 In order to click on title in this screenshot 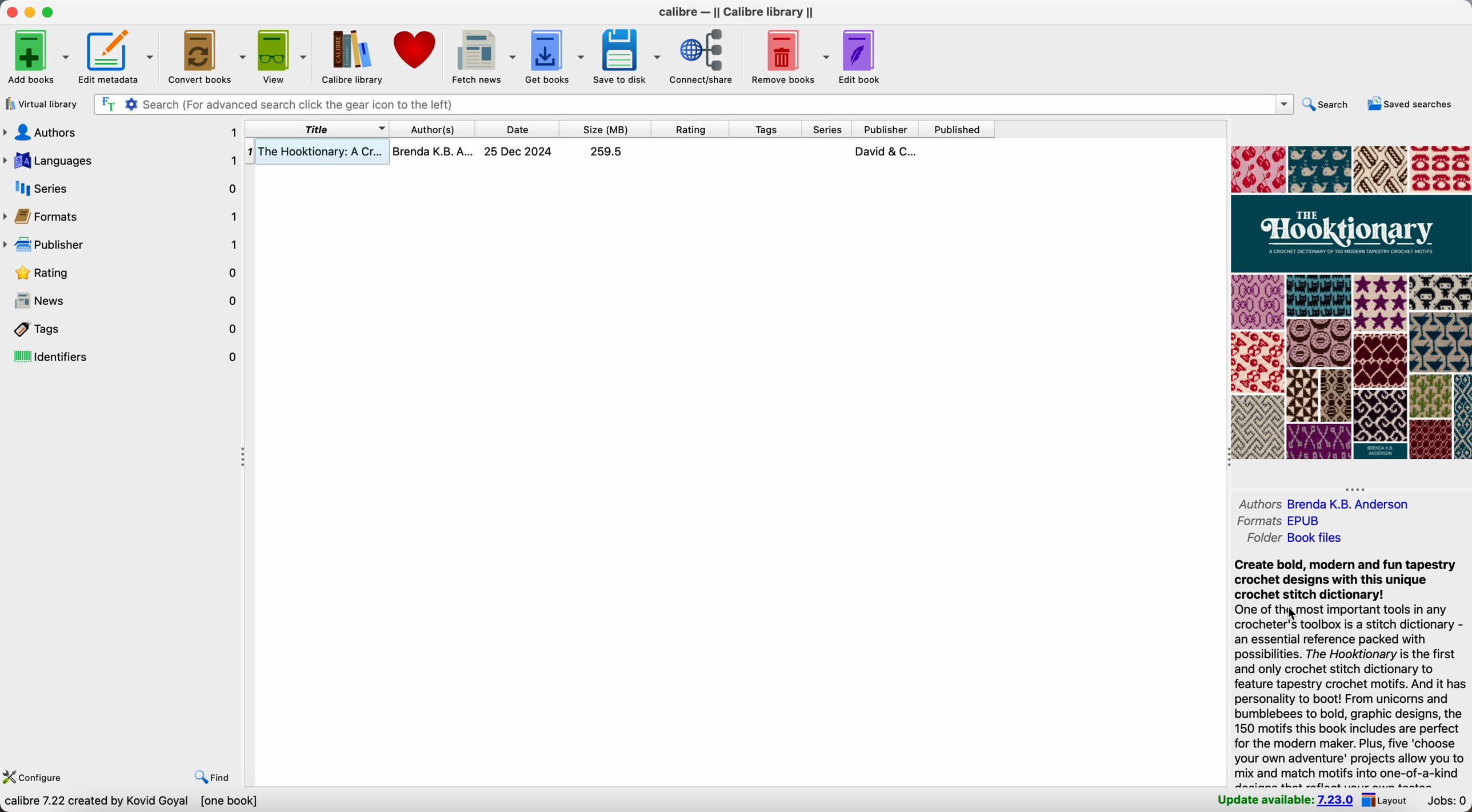, I will do `click(318, 129)`.